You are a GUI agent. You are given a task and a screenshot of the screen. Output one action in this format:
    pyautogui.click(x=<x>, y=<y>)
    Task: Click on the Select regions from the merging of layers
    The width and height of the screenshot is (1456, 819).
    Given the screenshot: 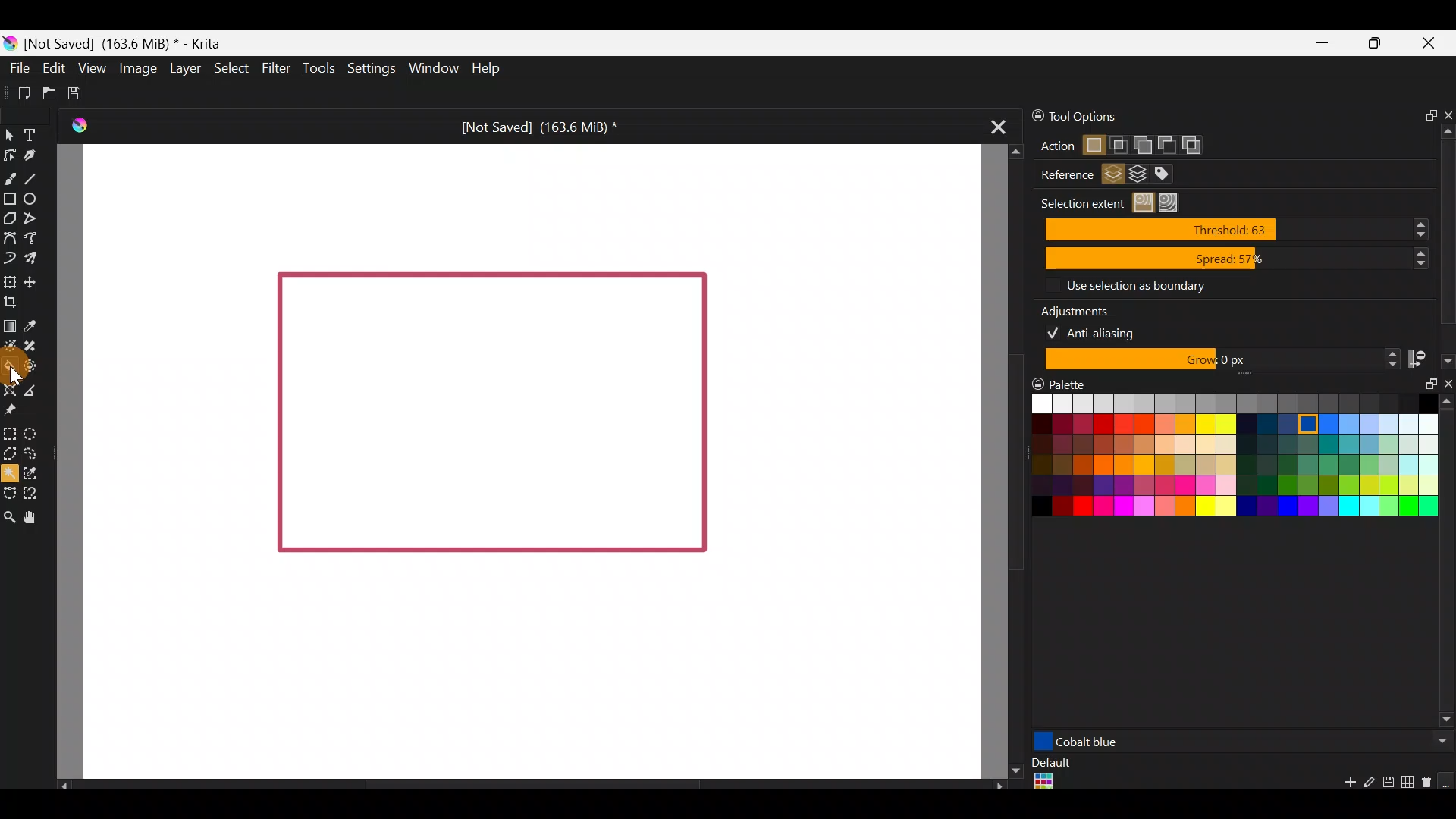 What is the action you would take?
    pyautogui.click(x=1138, y=177)
    